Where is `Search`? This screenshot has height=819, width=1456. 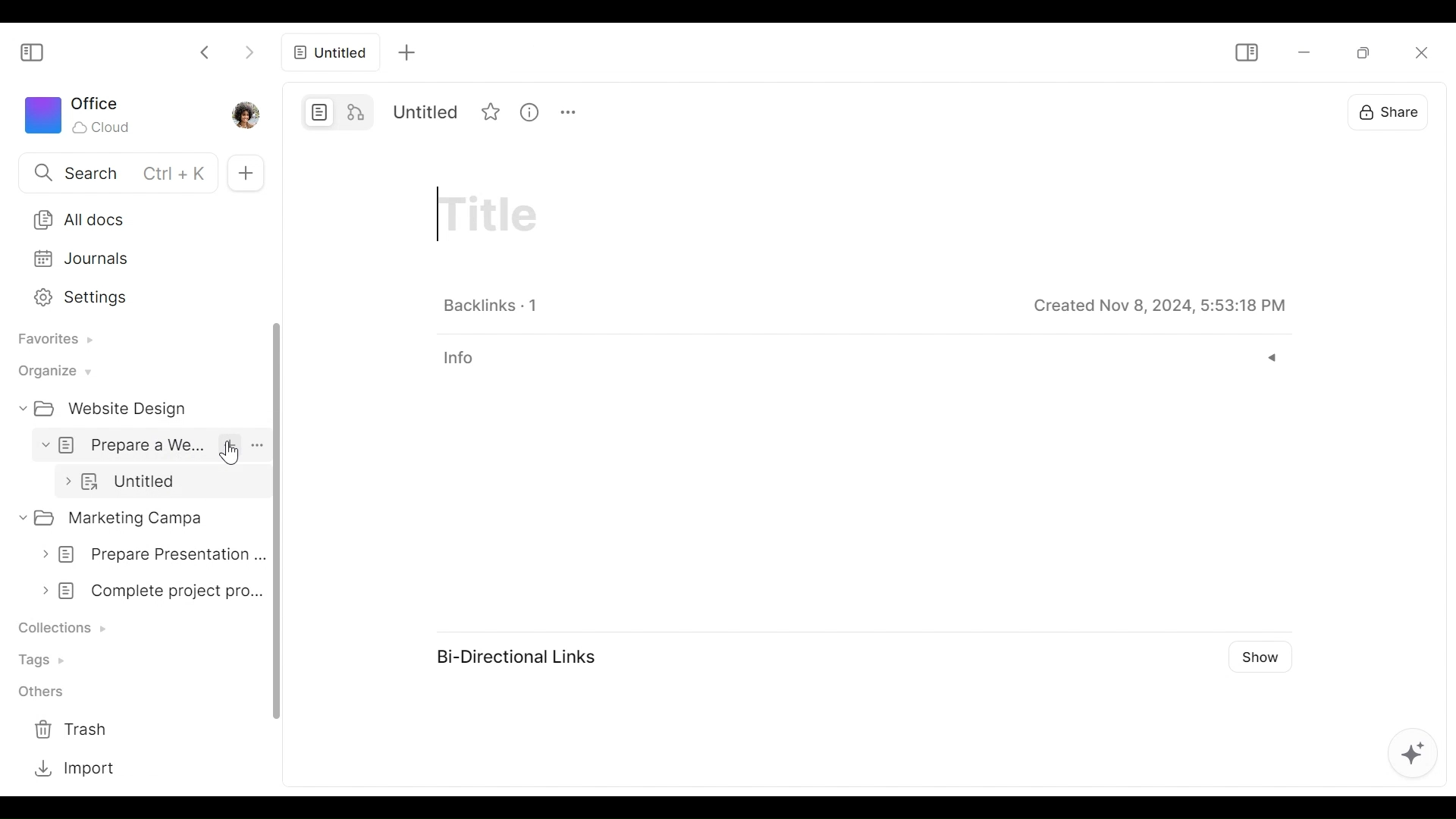
Search is located at coordinates (108, 171).